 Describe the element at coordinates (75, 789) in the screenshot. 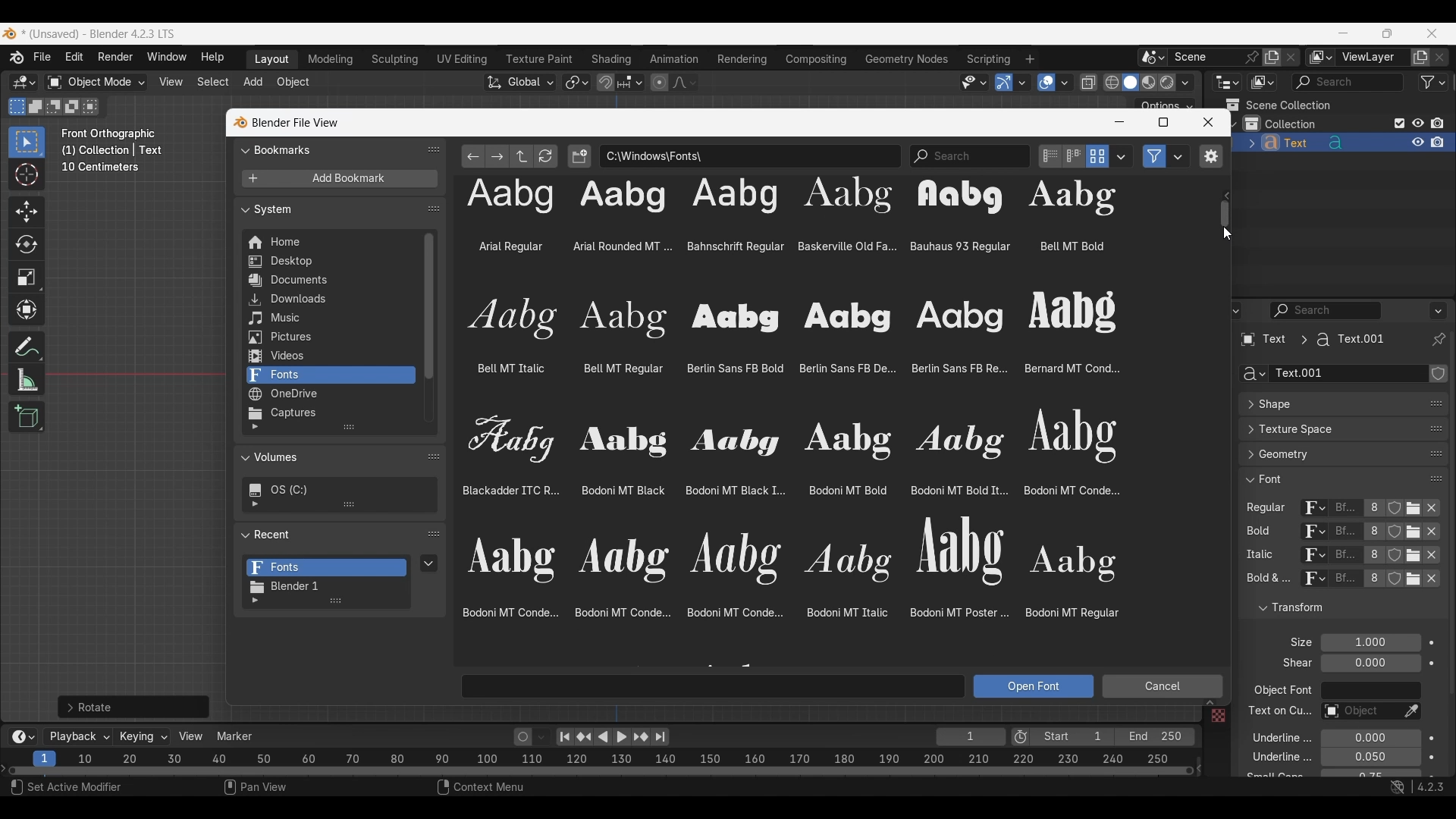

I see `Select` at that location.